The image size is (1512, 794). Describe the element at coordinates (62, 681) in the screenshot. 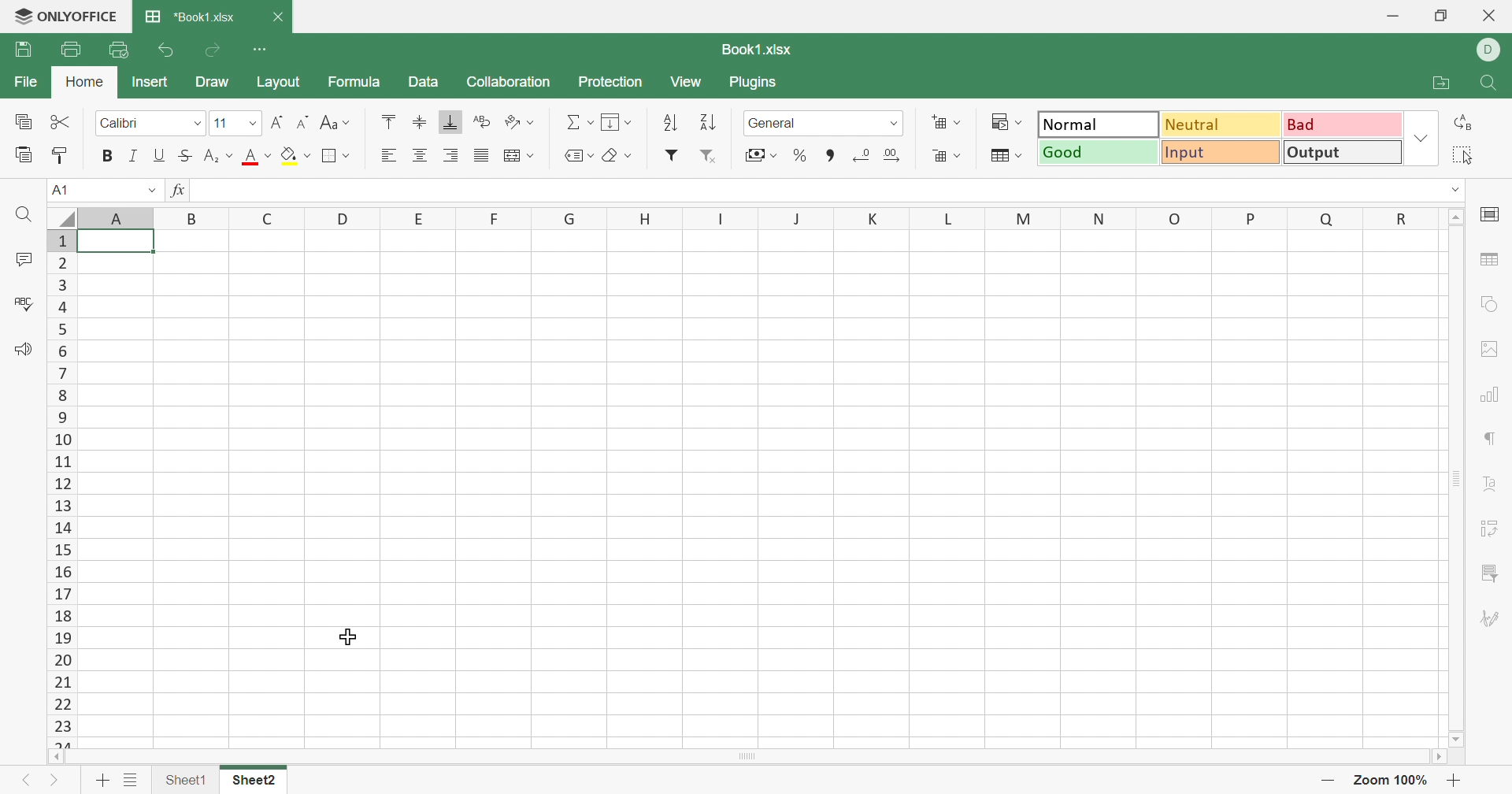

I see `21` at that location.